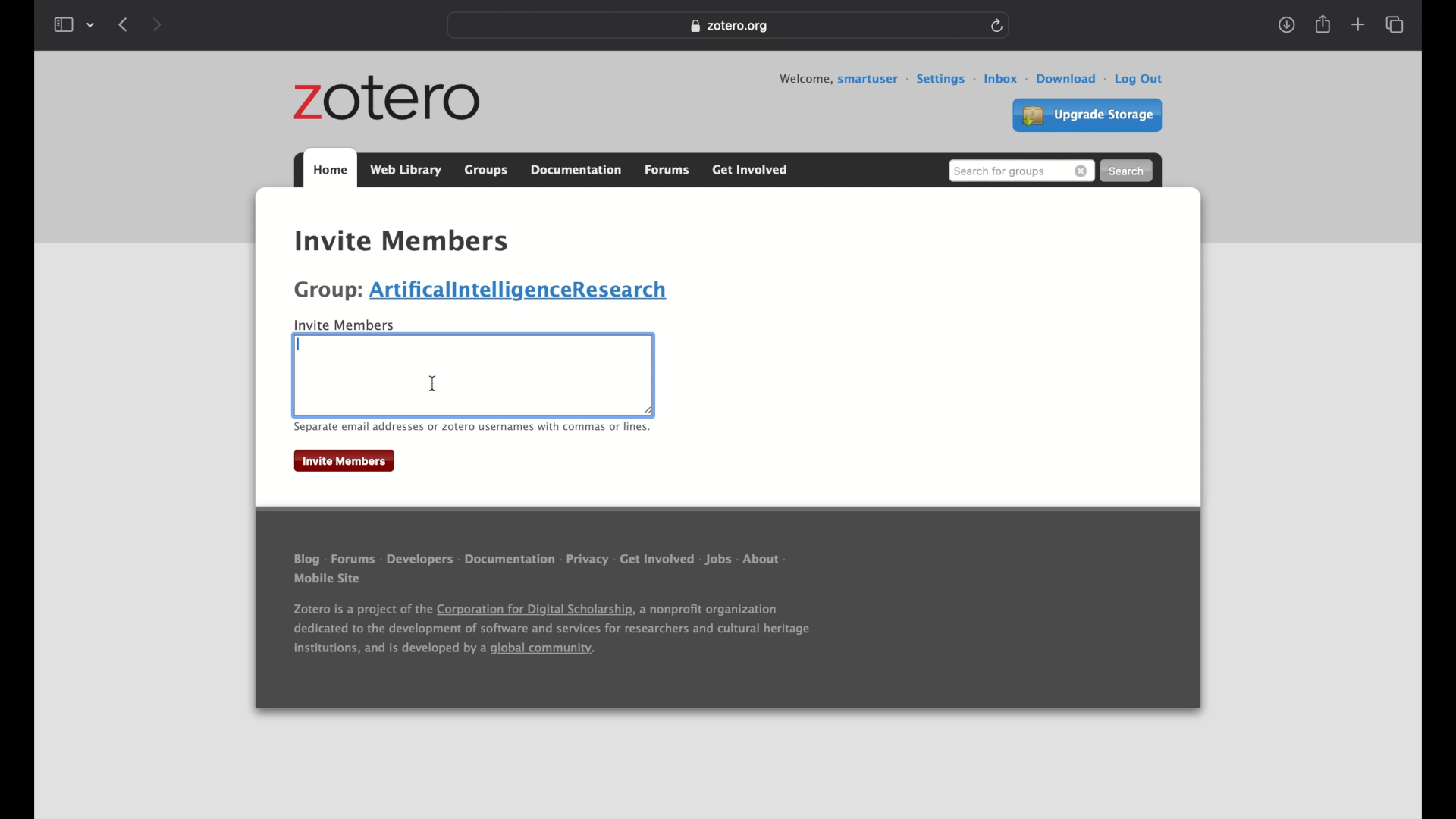 This screenshot has height=819, width=1456. I want to click on download, so click(1073, 80).